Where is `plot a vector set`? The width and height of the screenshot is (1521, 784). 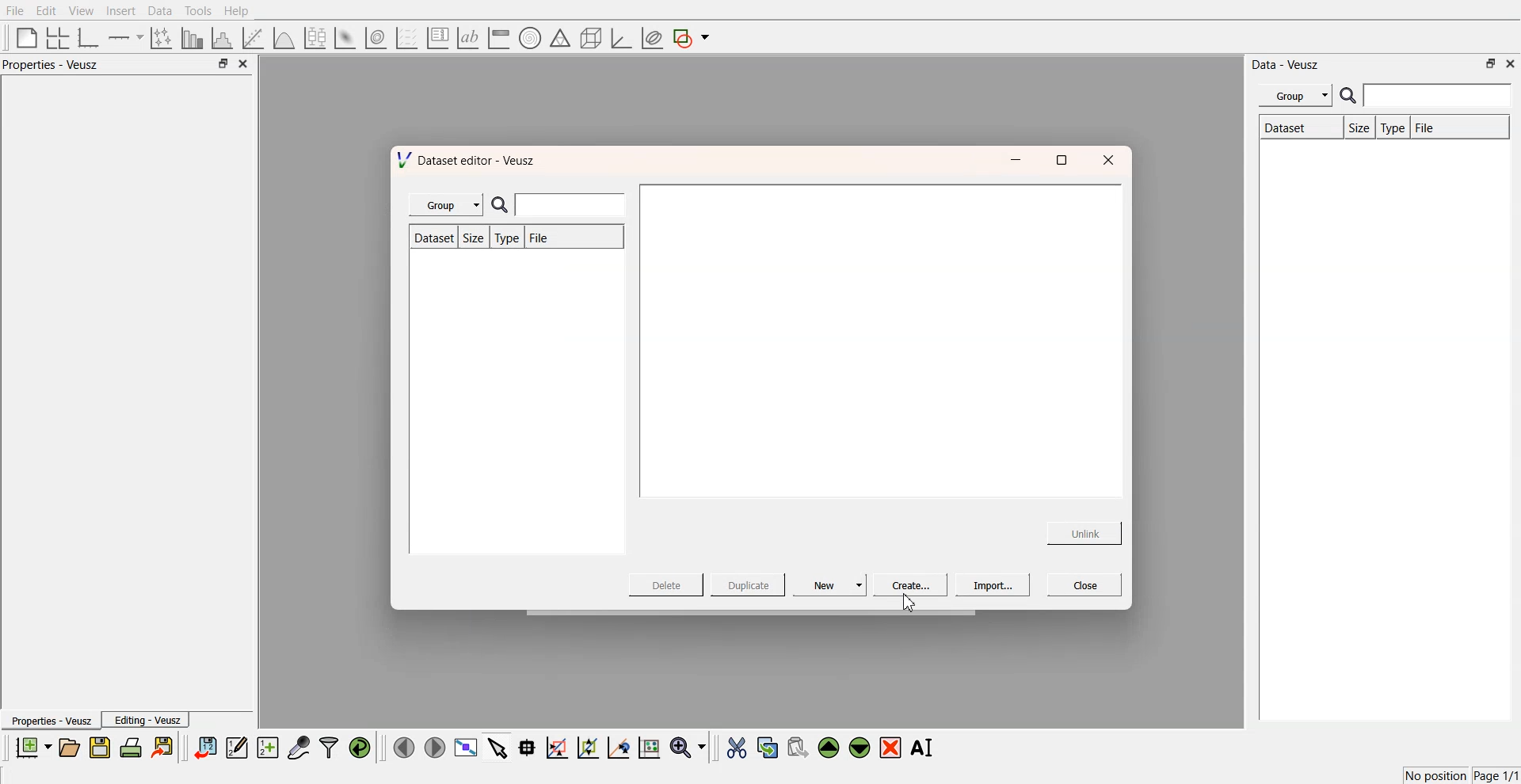
plot a vector set is located at coordinates (408, 38).